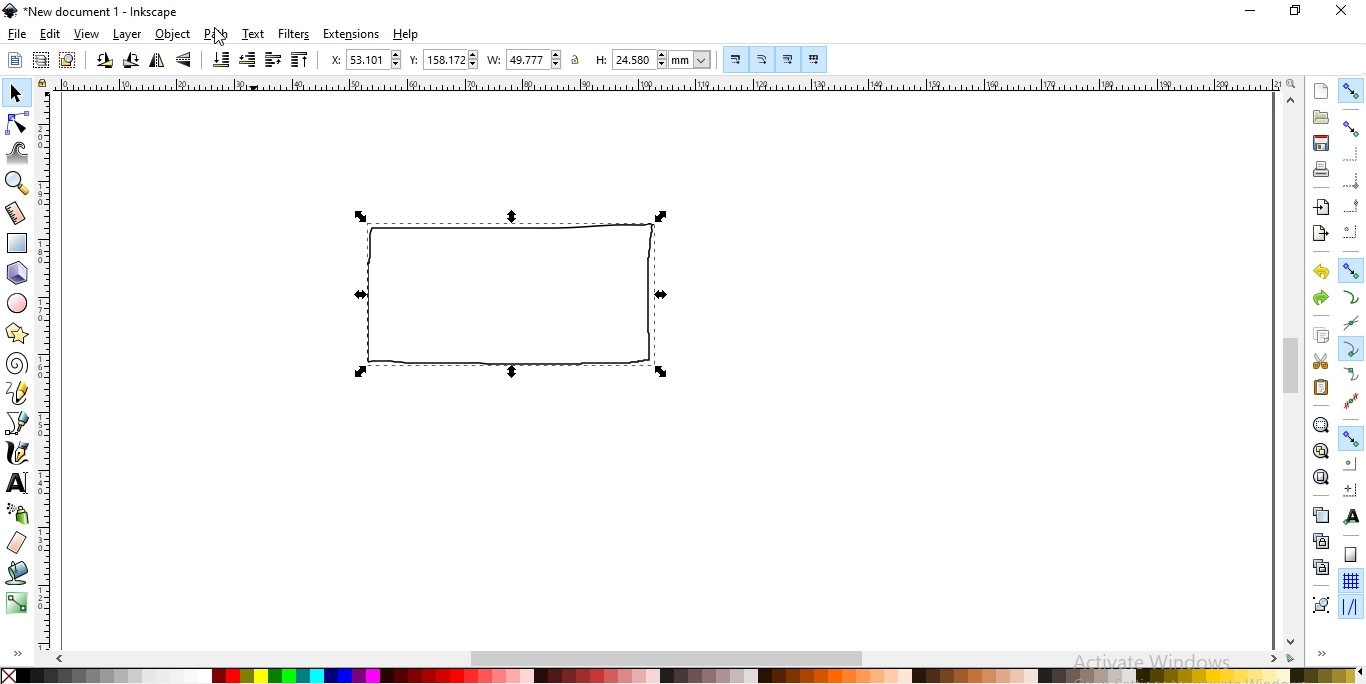  What do you see at coordinates (1351, 401) in the screenshot?
I see `` at bounding box center [1351, 401].